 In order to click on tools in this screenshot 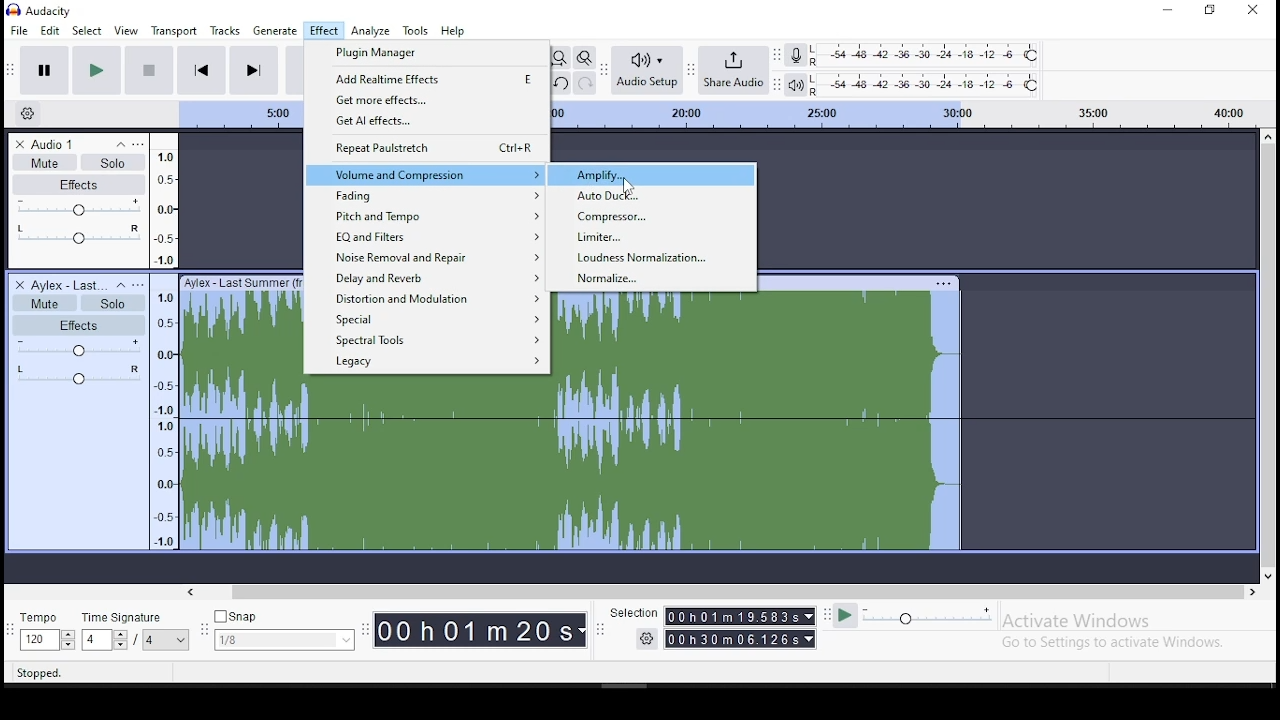, I will do `click(416, 31)`.